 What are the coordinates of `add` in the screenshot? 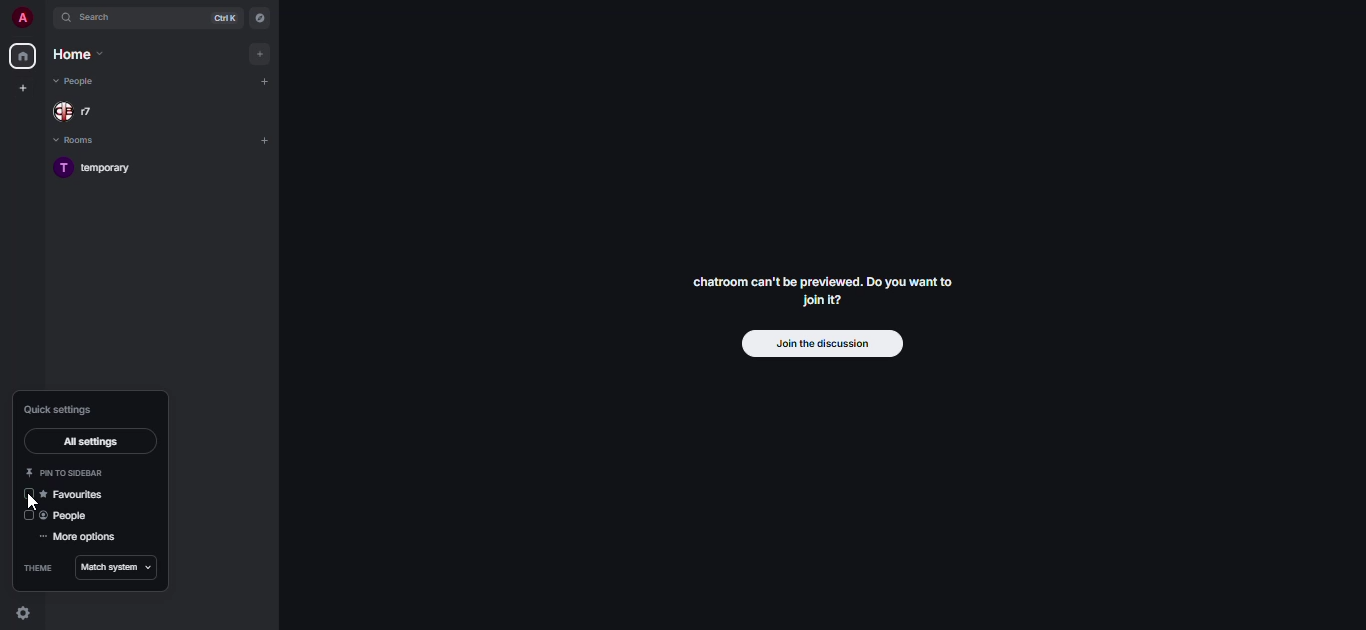 It's located at (265, 82).